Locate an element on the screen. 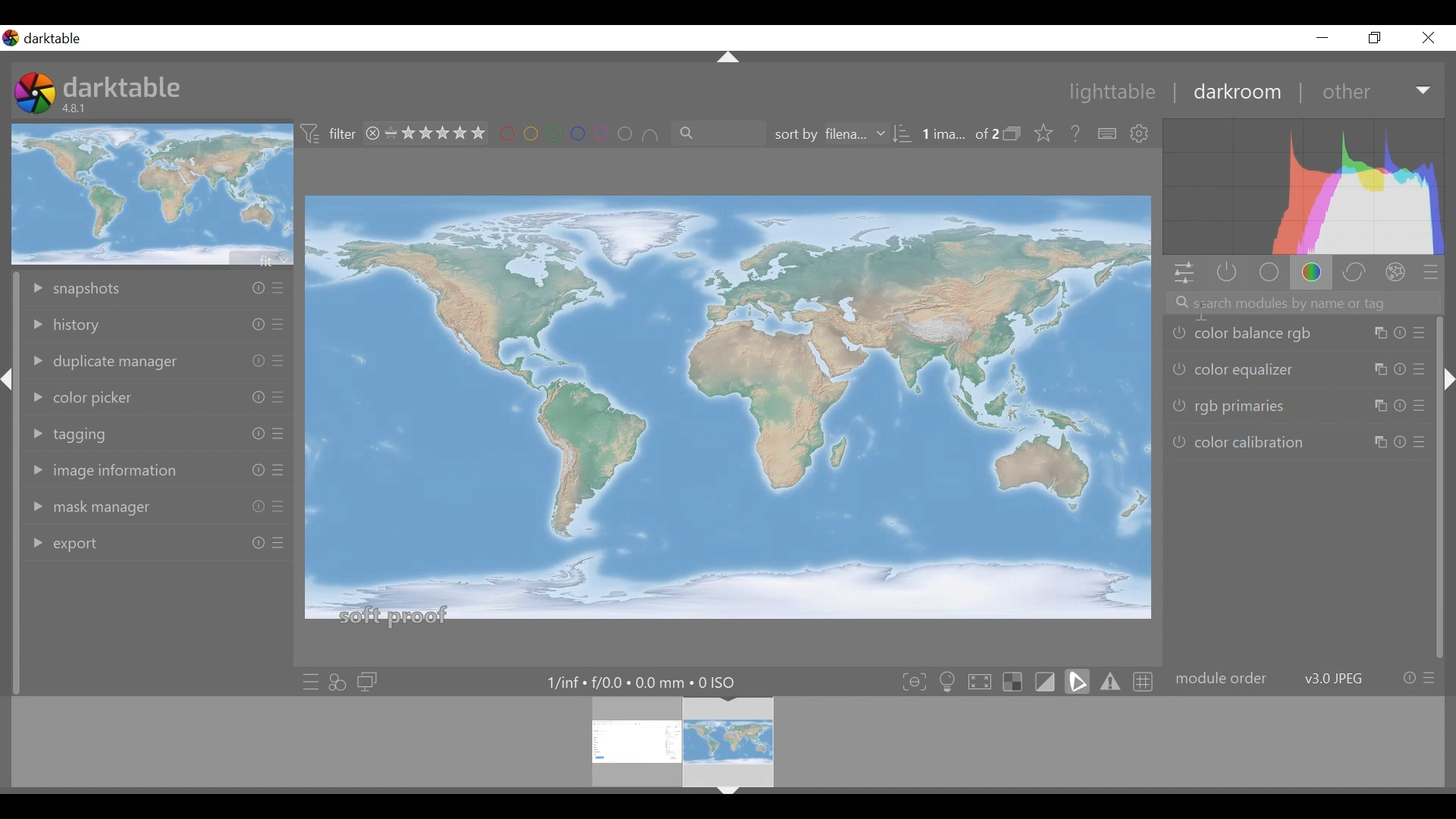  filter by text is located at coordinates (711, 134).